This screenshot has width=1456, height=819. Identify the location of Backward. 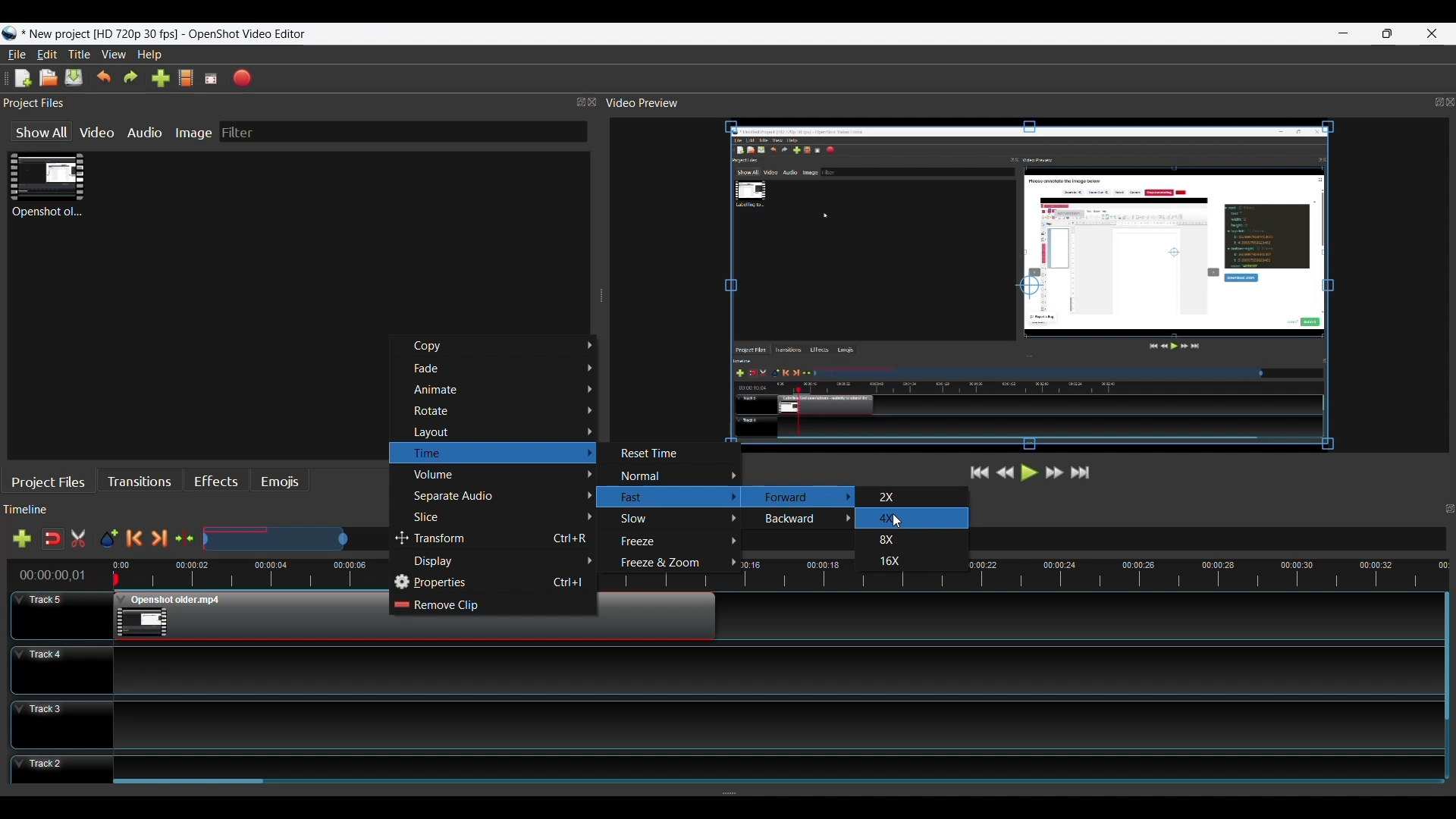
(804, 520).